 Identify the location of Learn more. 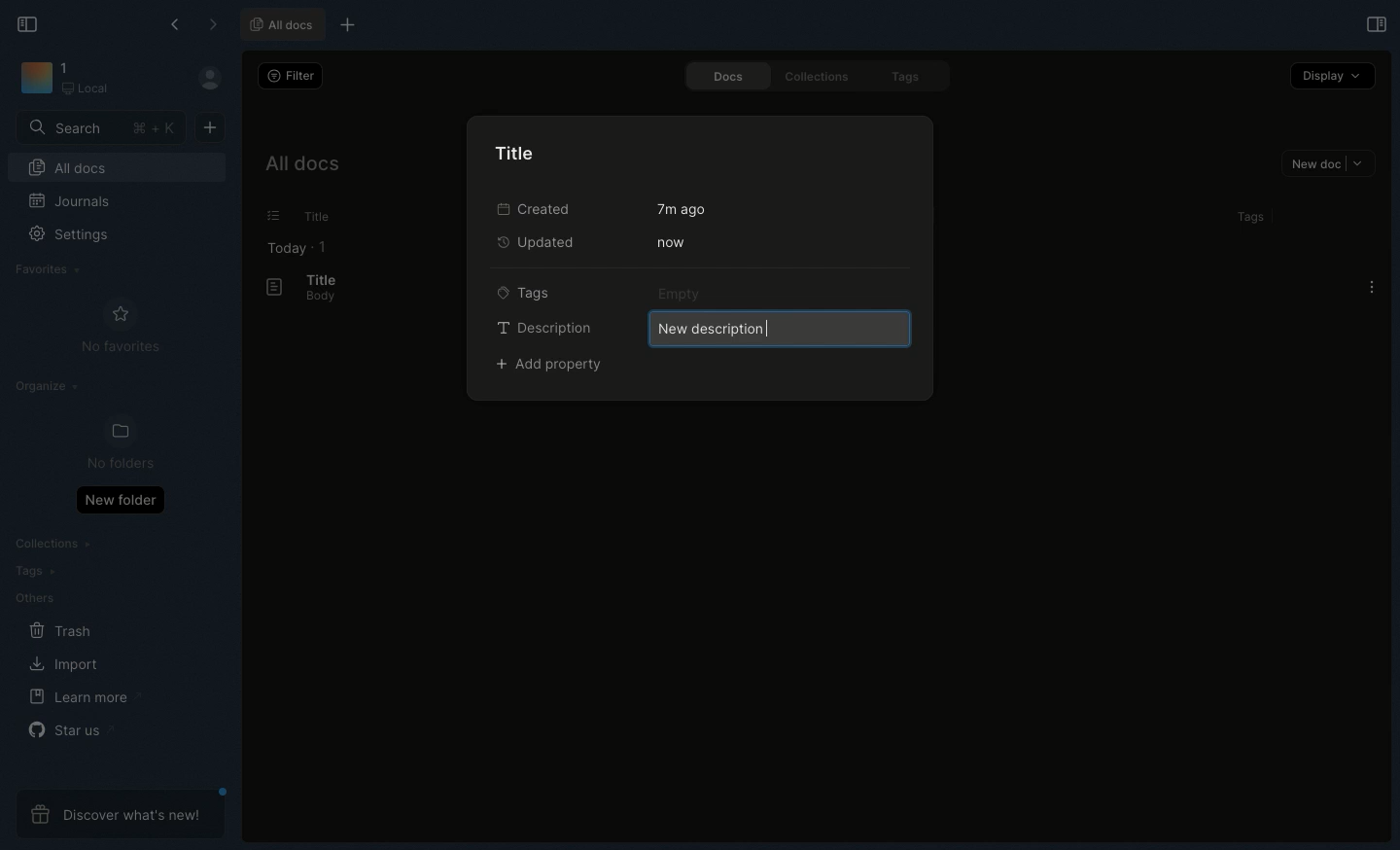
(86, 697).